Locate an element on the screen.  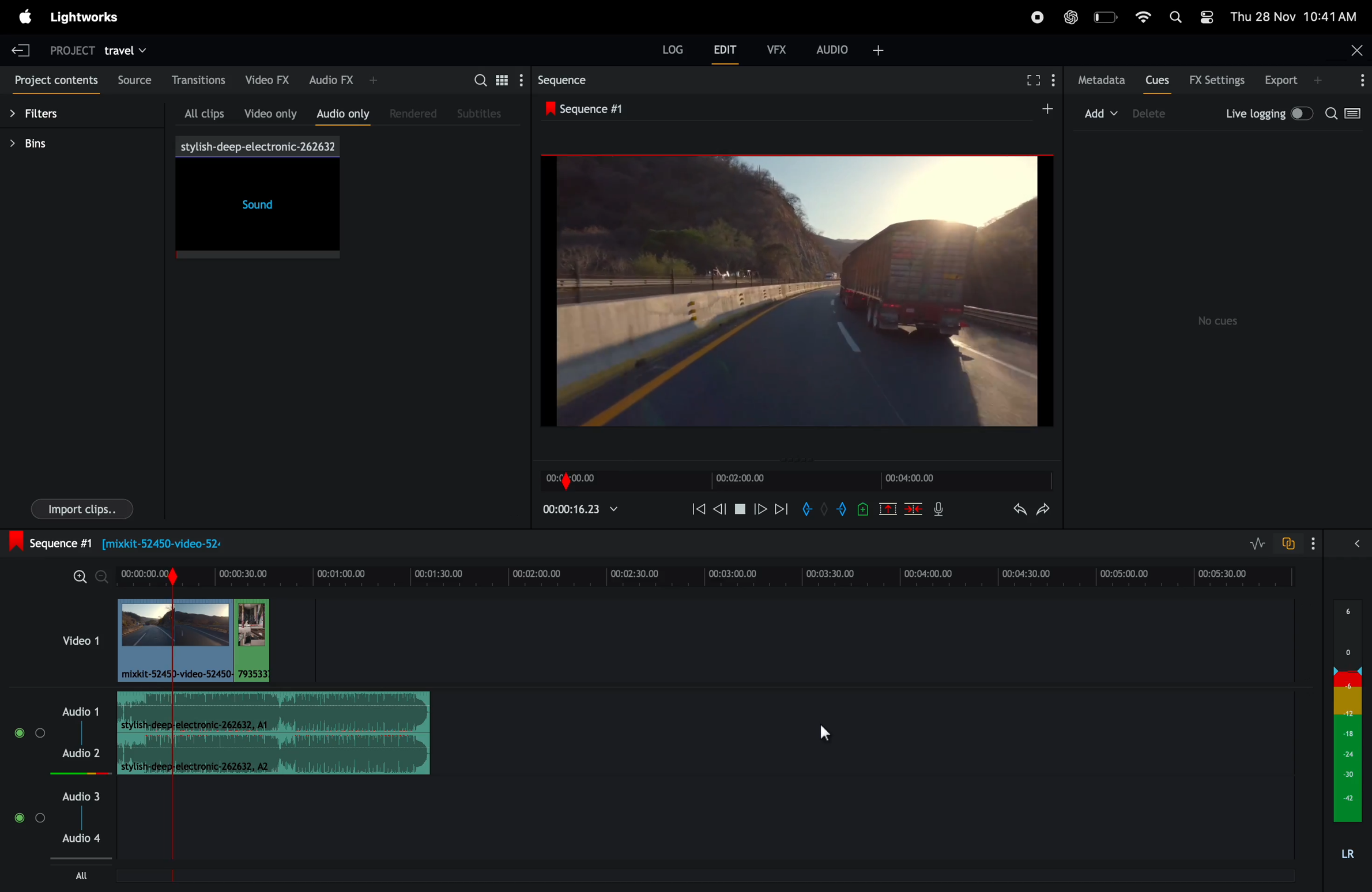
date and time is located at coordinates (1294, 16).